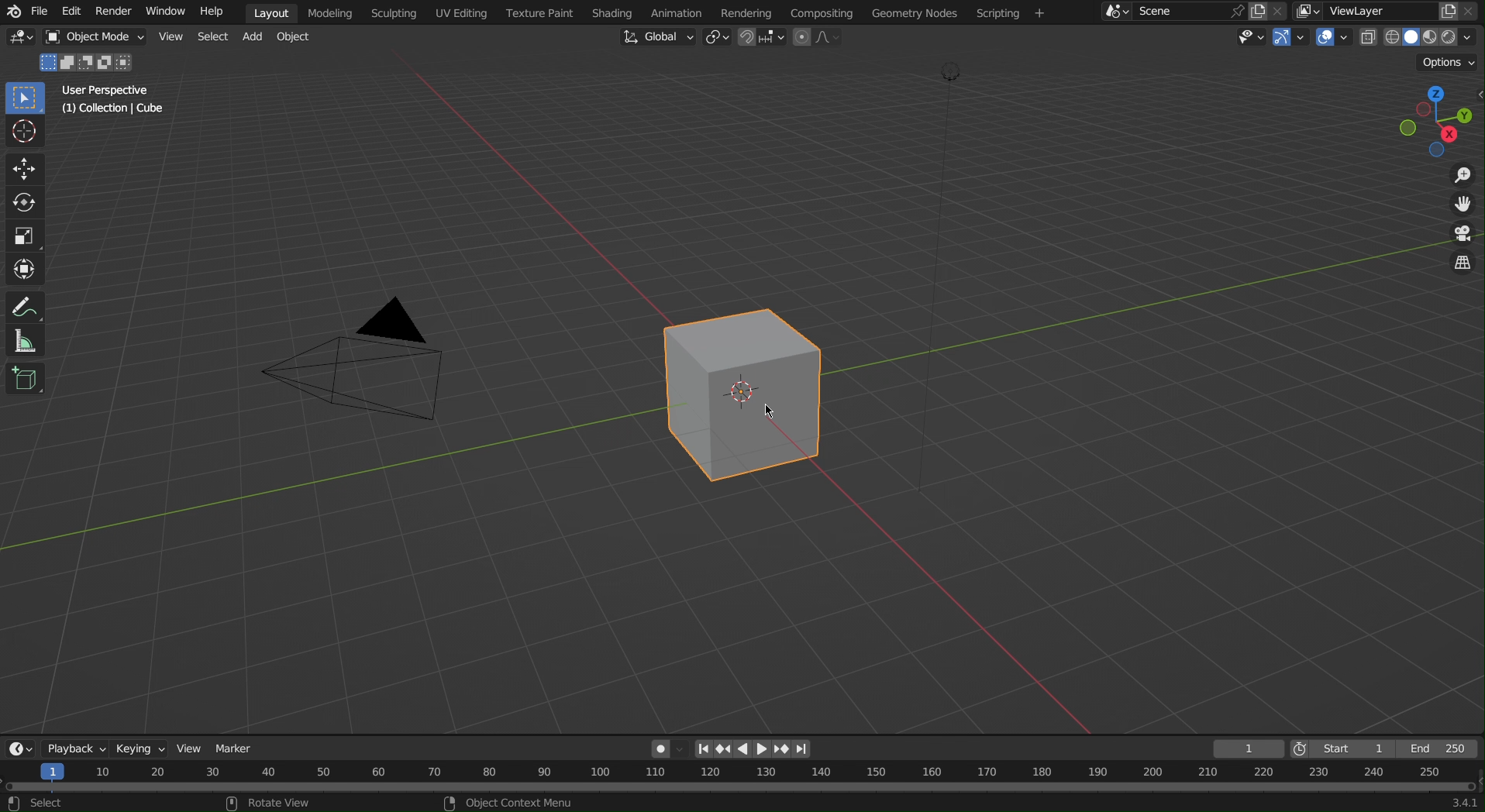  What do you see at coordinates (115, 12) in the screenshot?
I see `Render` at bounding box center [115, 12].